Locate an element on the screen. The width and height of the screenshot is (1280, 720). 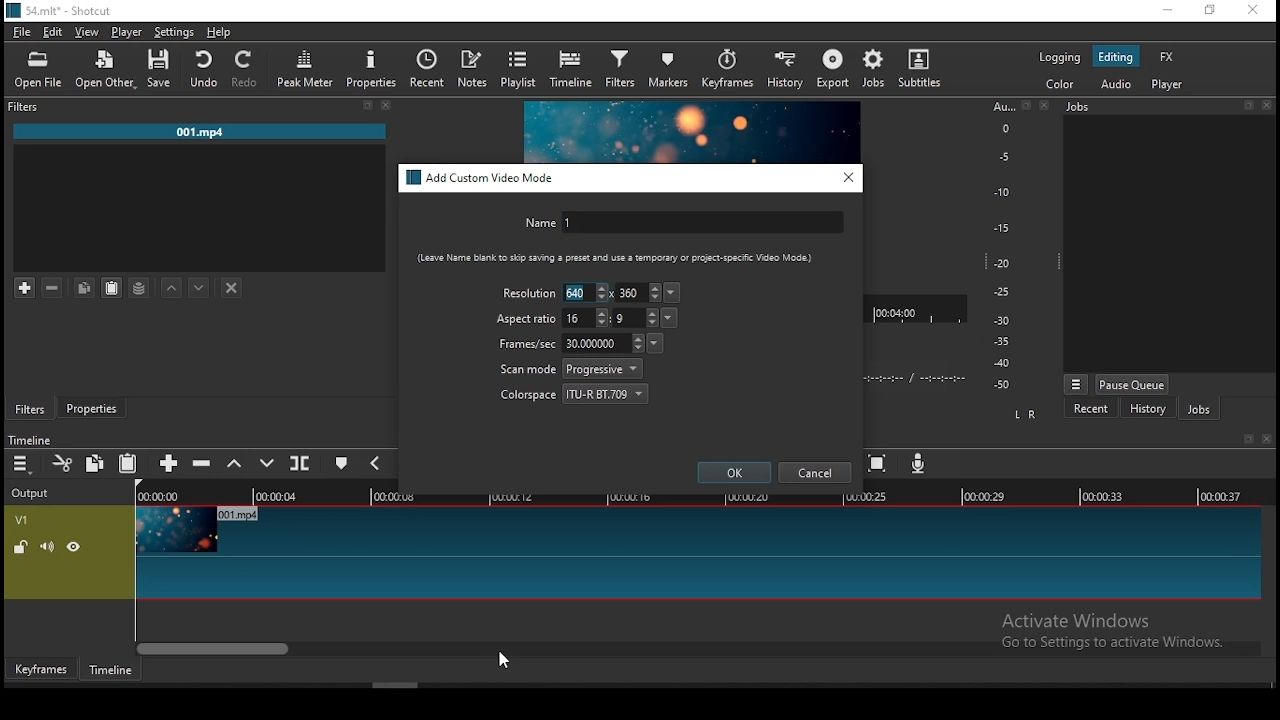
timeline is located at coordinates (29, 440).